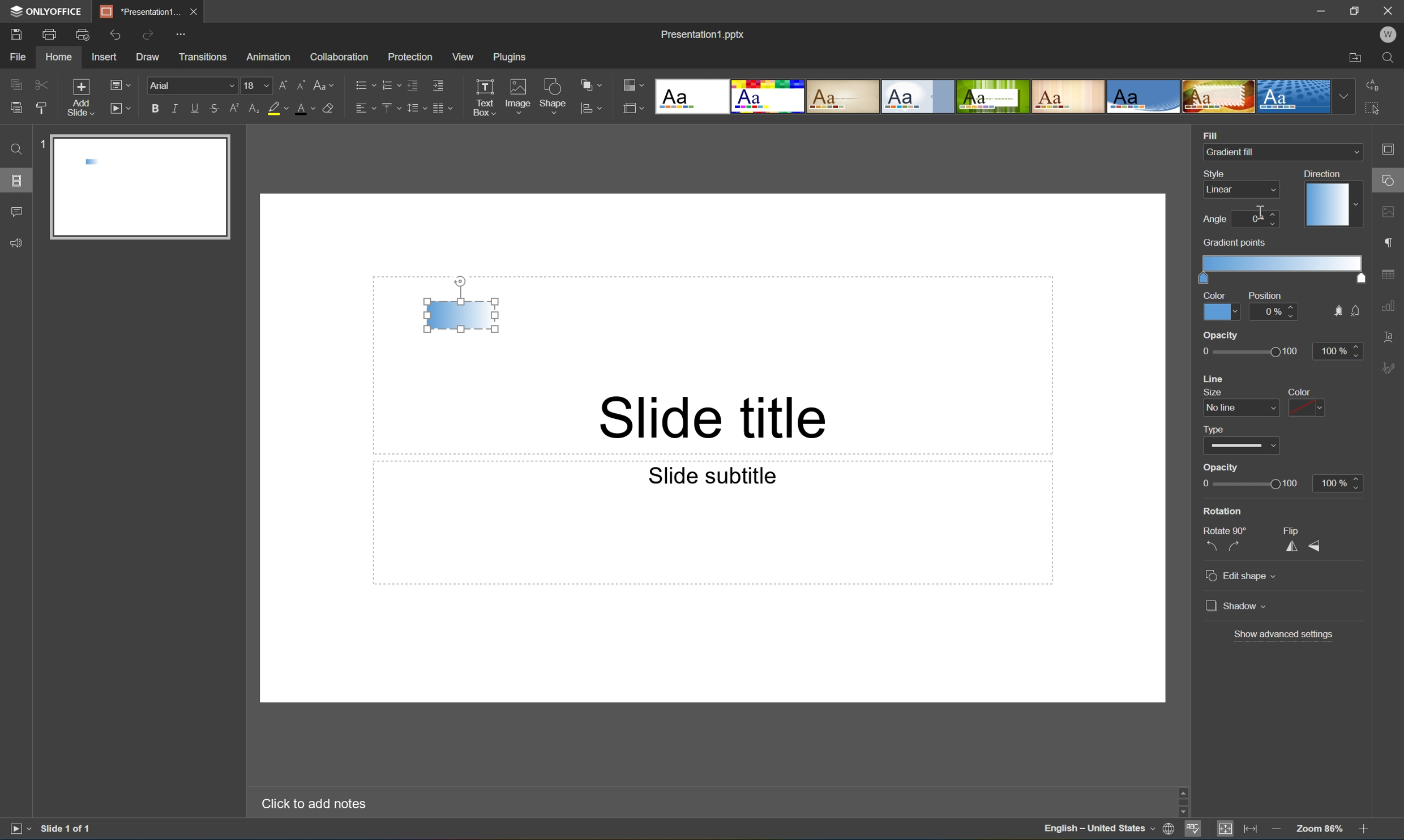 This screenshot has height=840, width=1404. I want to click on Scroll Bar, so click(1361, 799).